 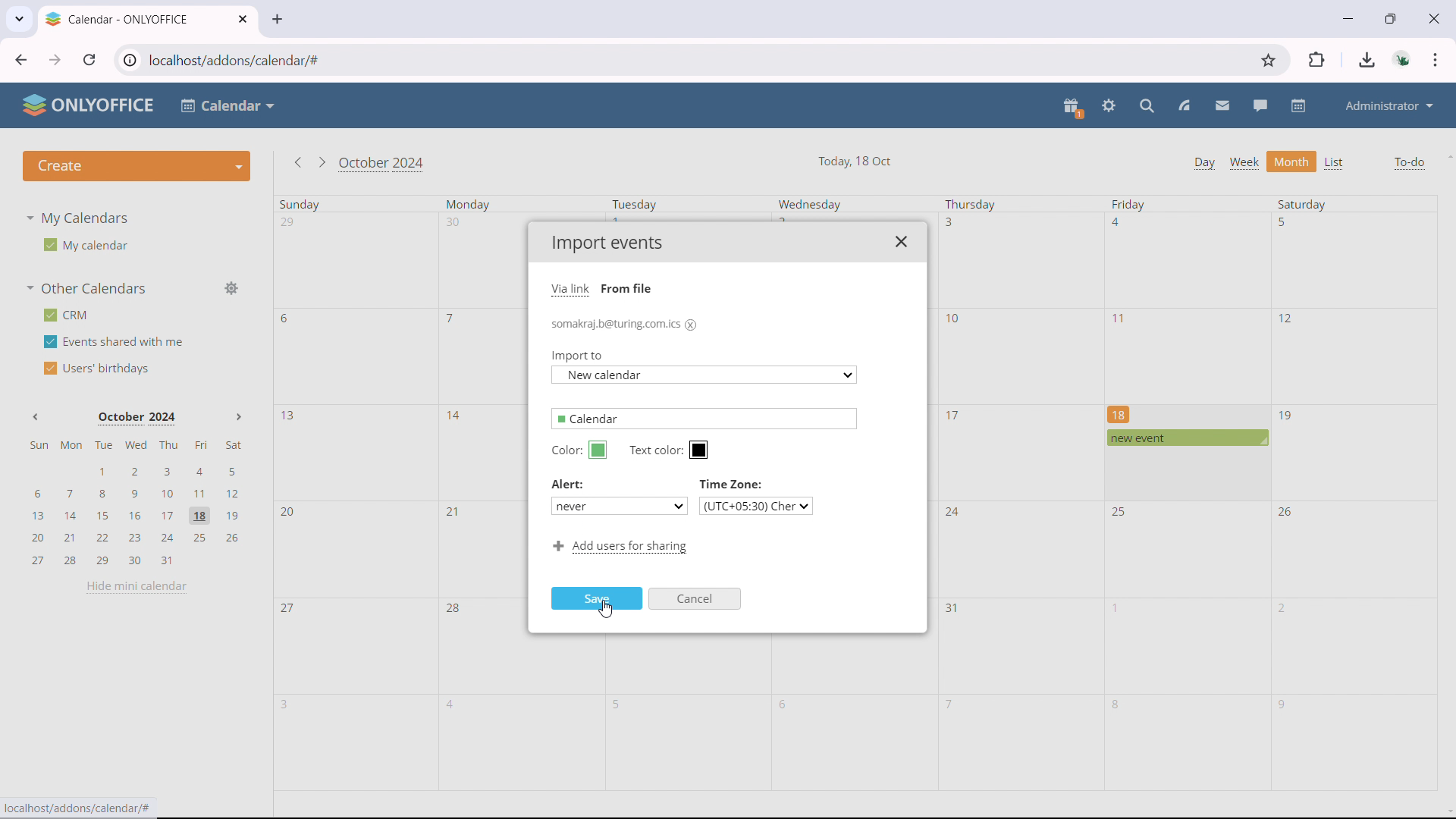 I want to click on New calendar, so click(x=708, y=378).